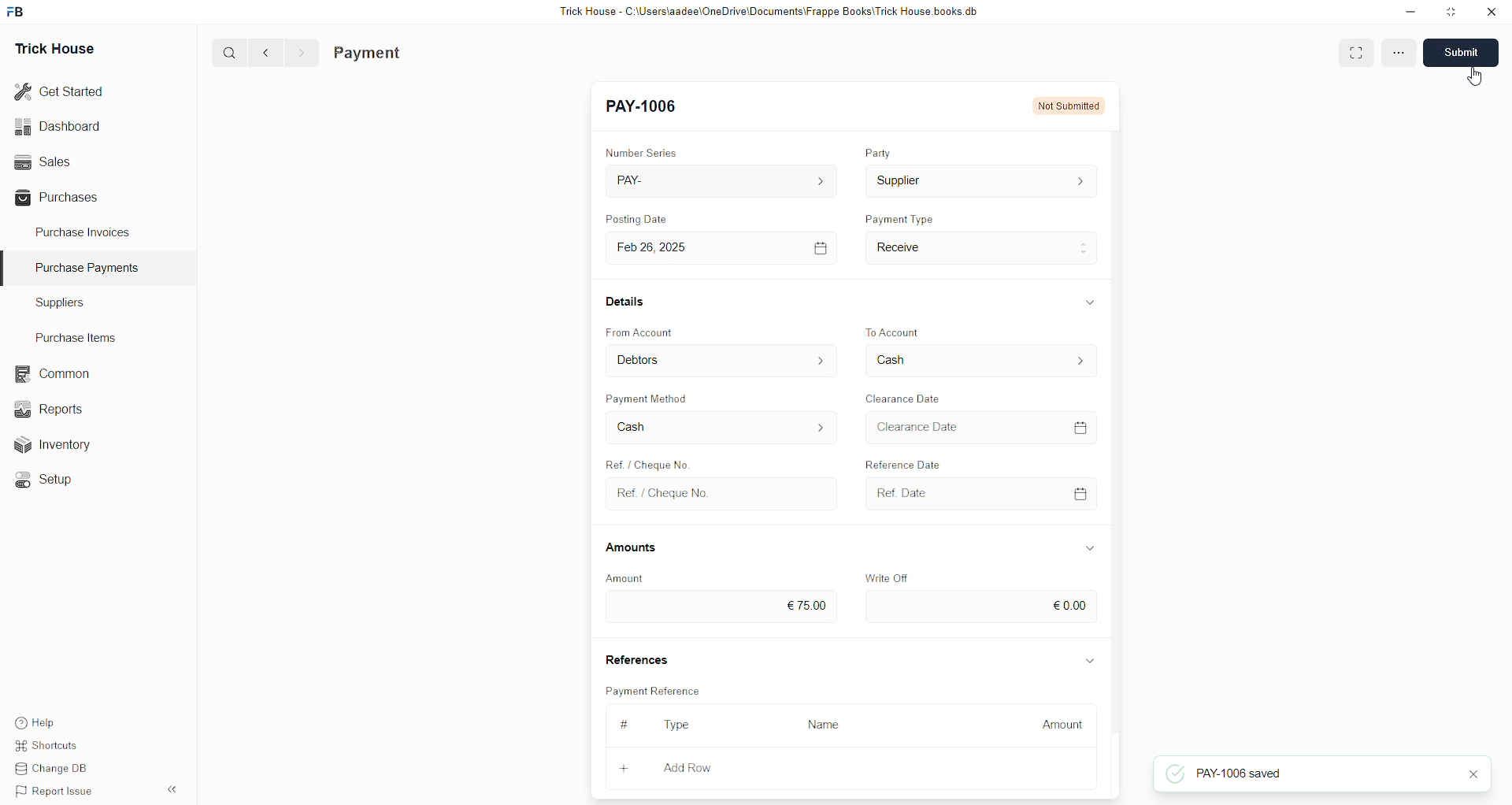 The image size is (1512, 805). I want to click on Ref. / Cheque No., so click(656, 465).